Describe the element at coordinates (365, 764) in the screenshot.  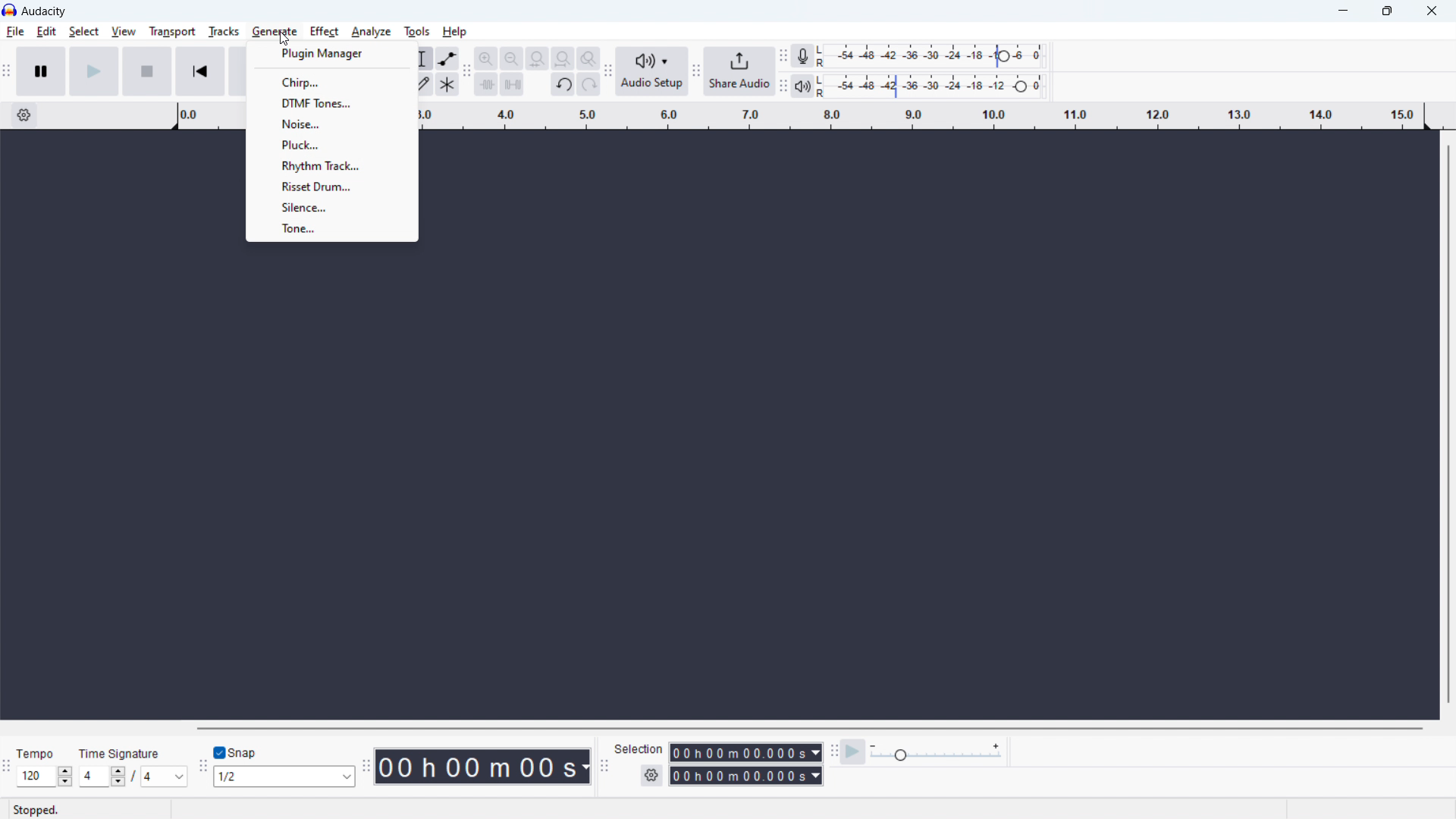
I see `time toolbar` at that location.